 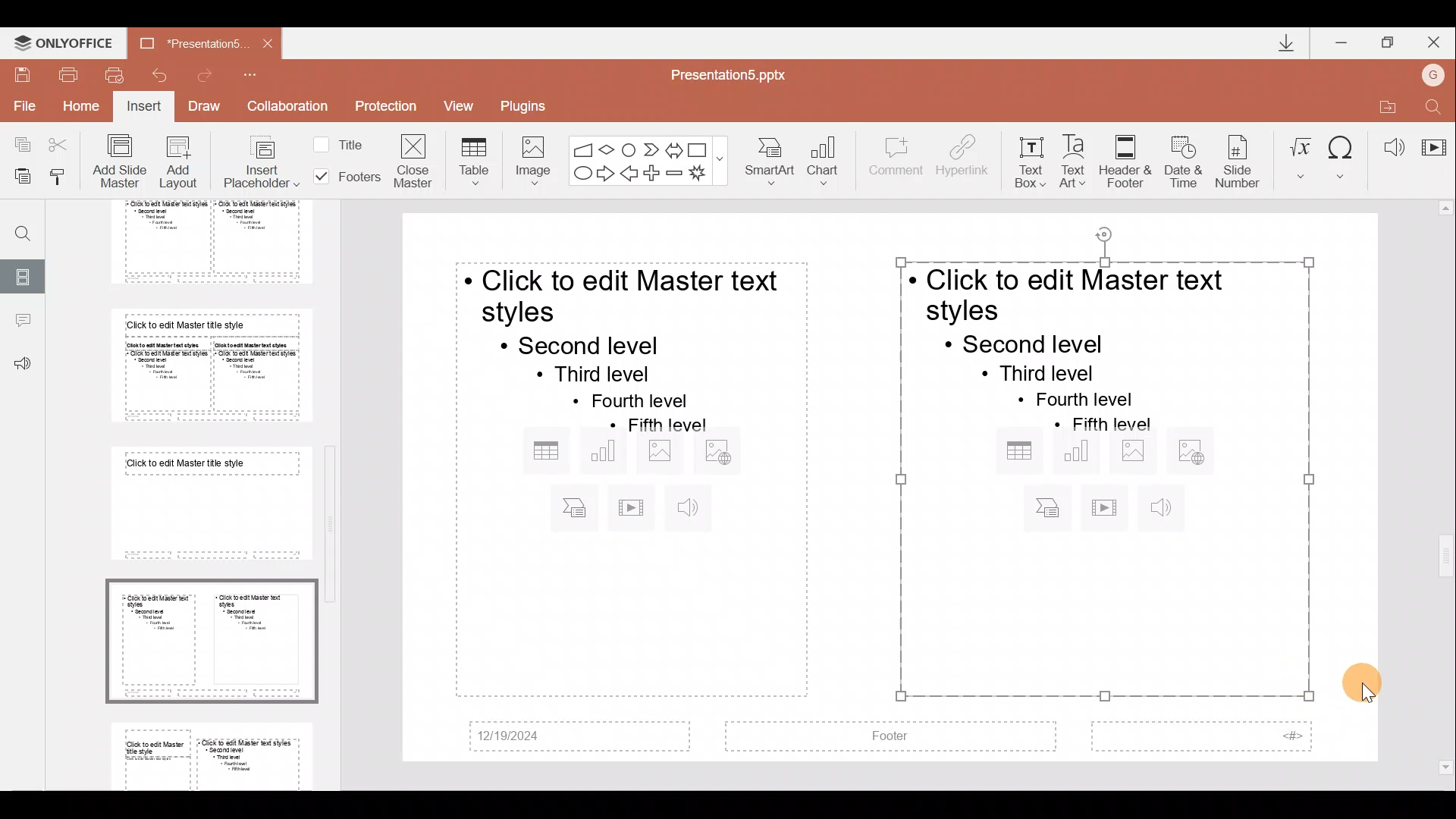 What do you see at coordinates (22, 105) in the screenshot?
I see `File` at bounding box center [22, 105].